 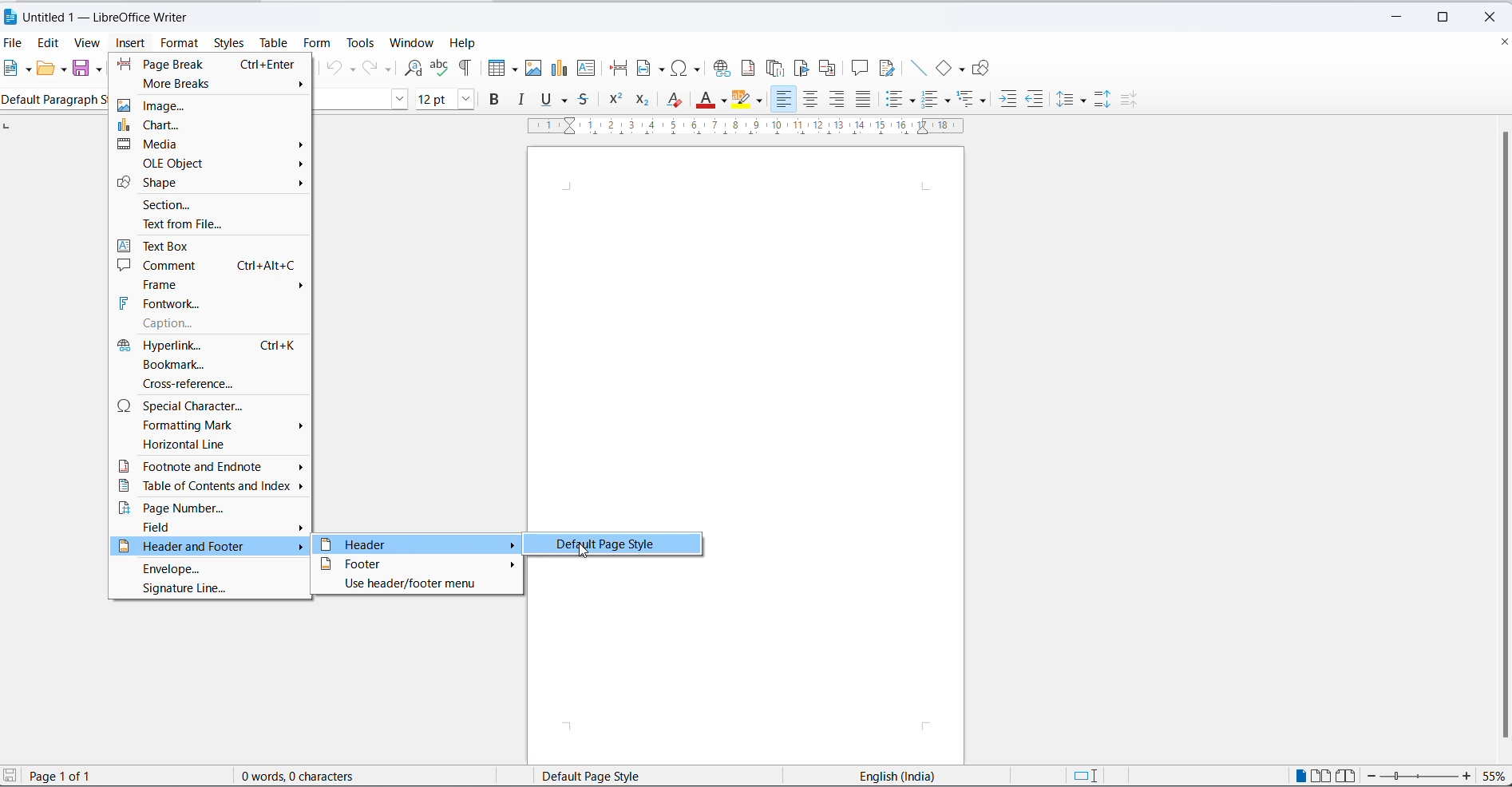 What do you see at coordinates (1088, 777) in the screenshot?
I see `standard selection` at bounding box center [1088, 777].